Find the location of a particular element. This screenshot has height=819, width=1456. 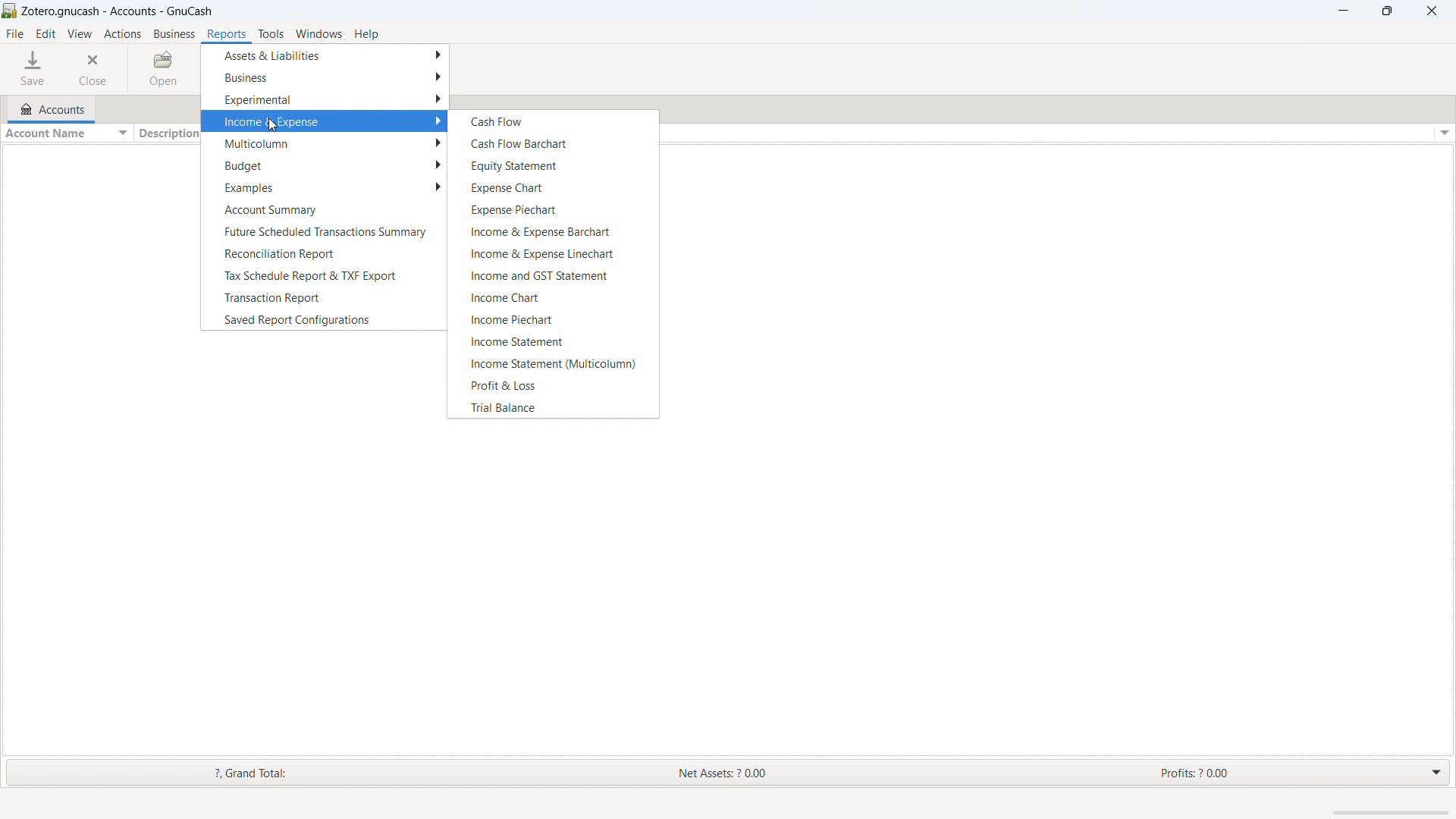

cursor is located at coordinates (268, 124).